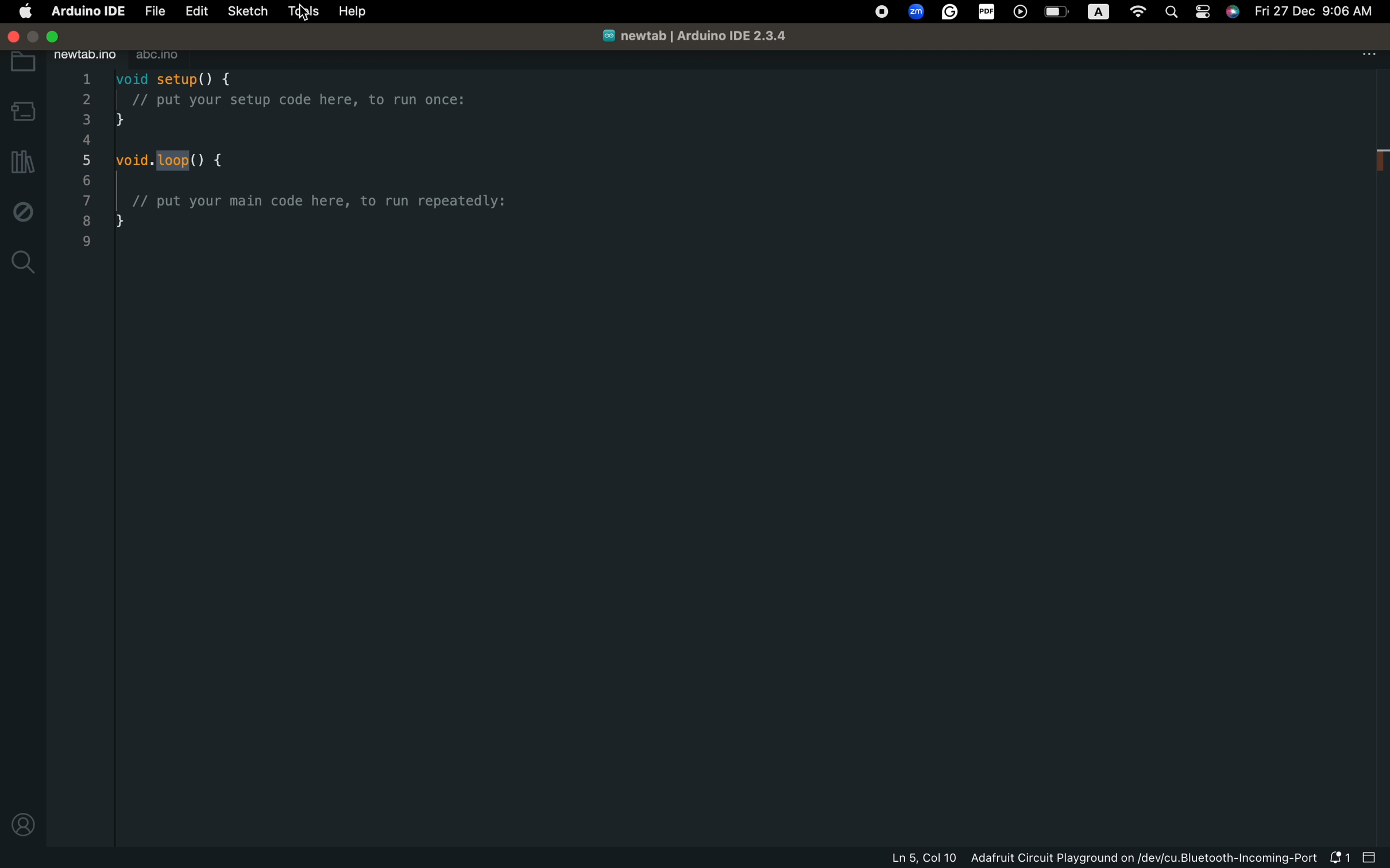  I want to click on newtab | Arduino IDE 2.3.4, so click(691, 36).